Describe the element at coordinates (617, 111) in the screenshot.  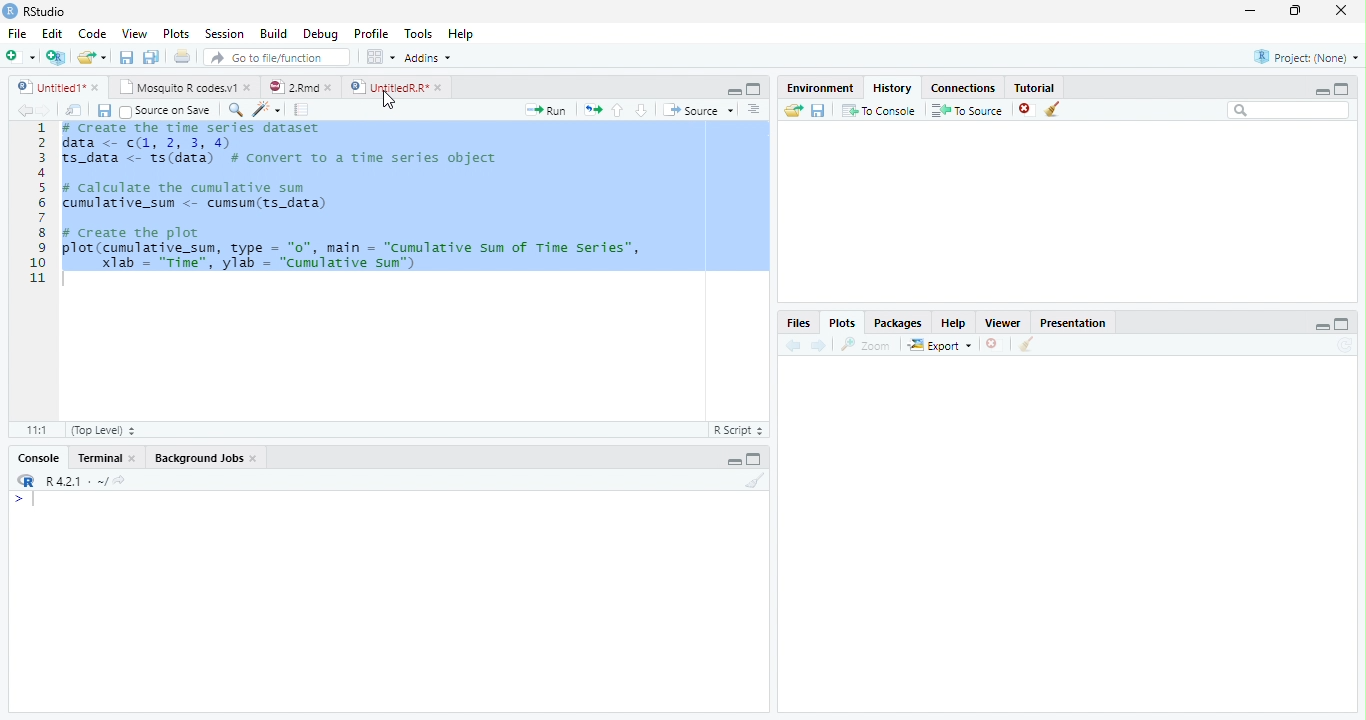
I see `Go to the previous section` at that location.